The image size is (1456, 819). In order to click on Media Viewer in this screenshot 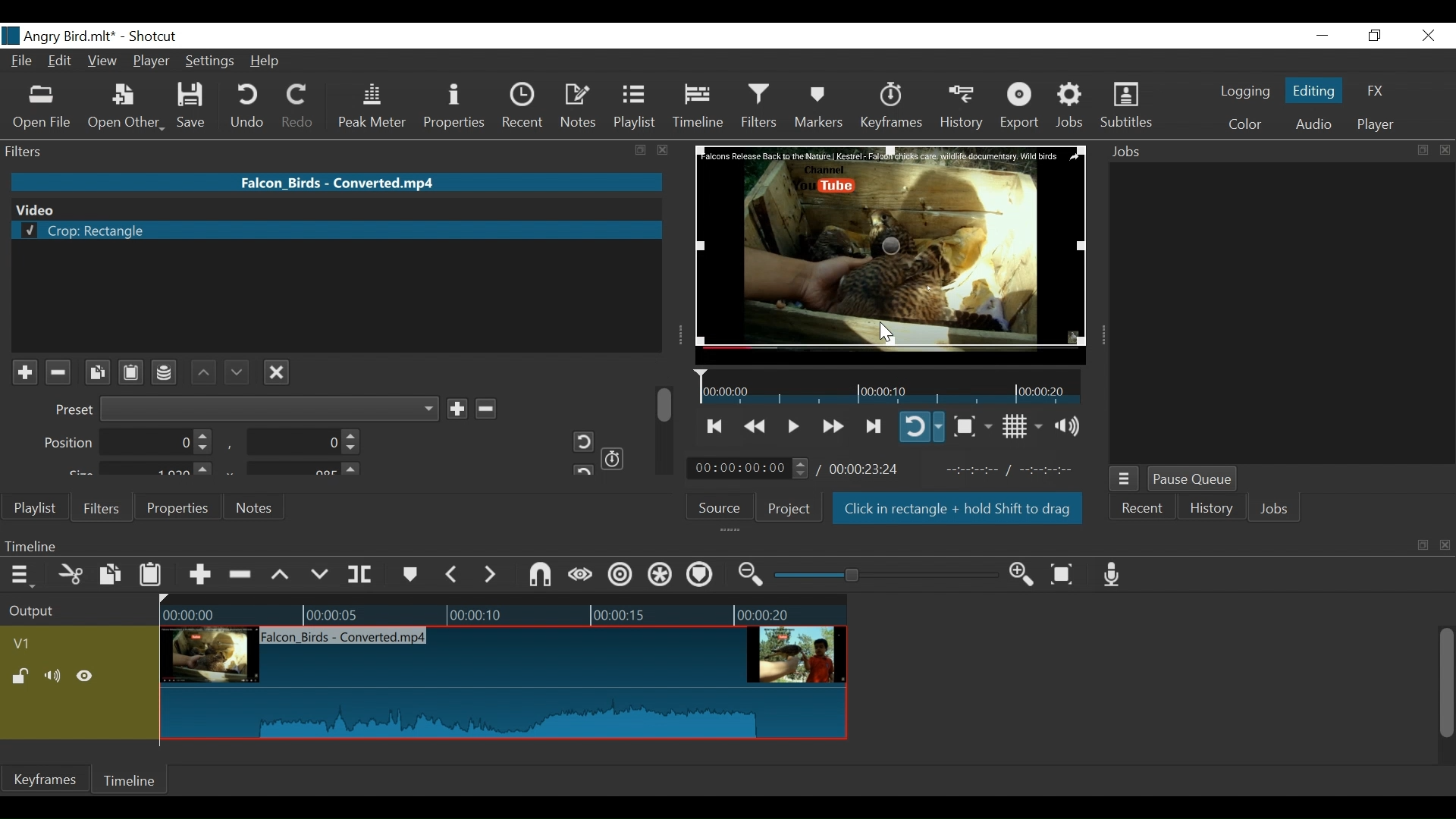, I will do `click(891, 254)`.